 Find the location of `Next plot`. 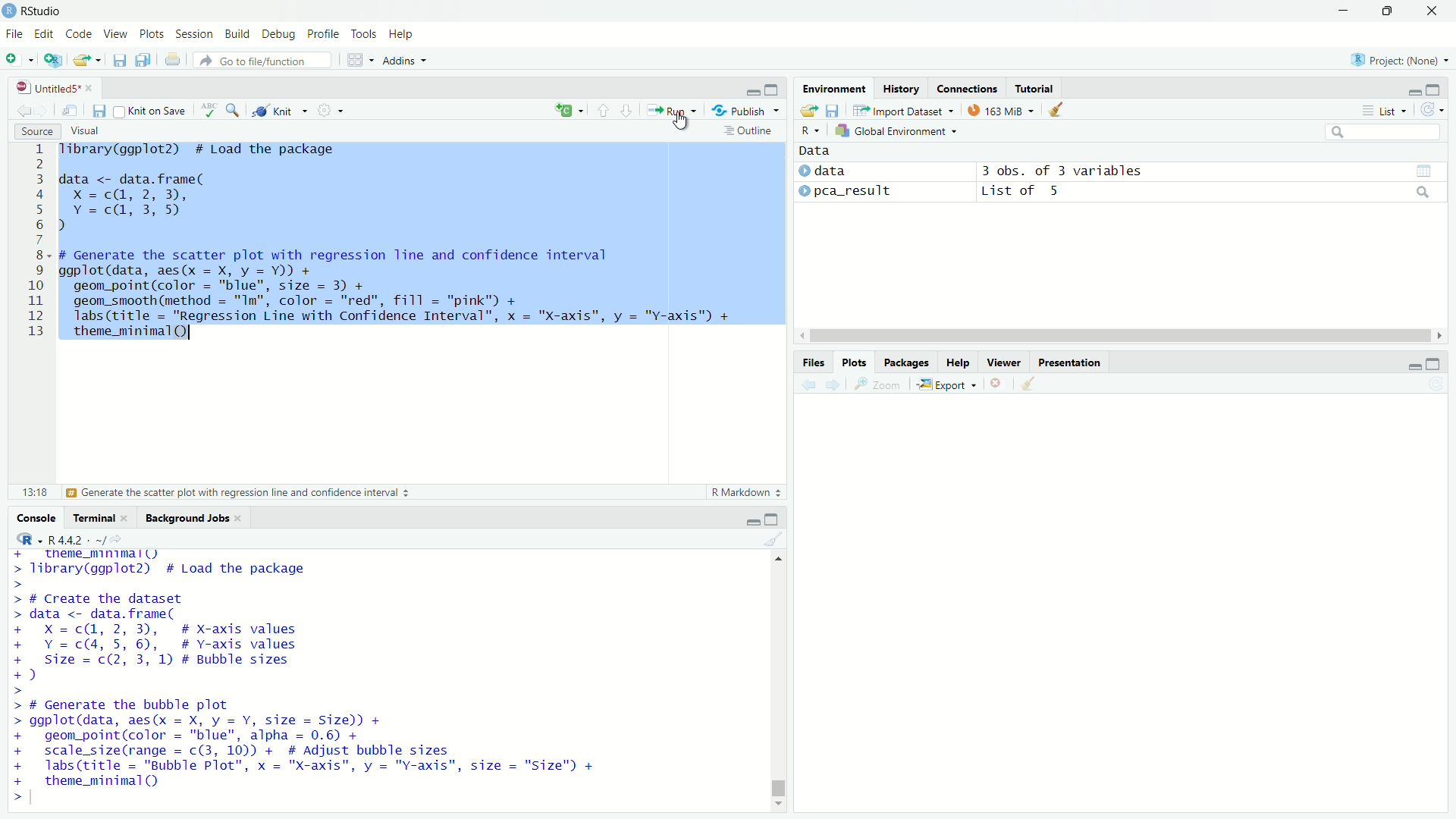

Next plot is located at coordinates (833, 384).